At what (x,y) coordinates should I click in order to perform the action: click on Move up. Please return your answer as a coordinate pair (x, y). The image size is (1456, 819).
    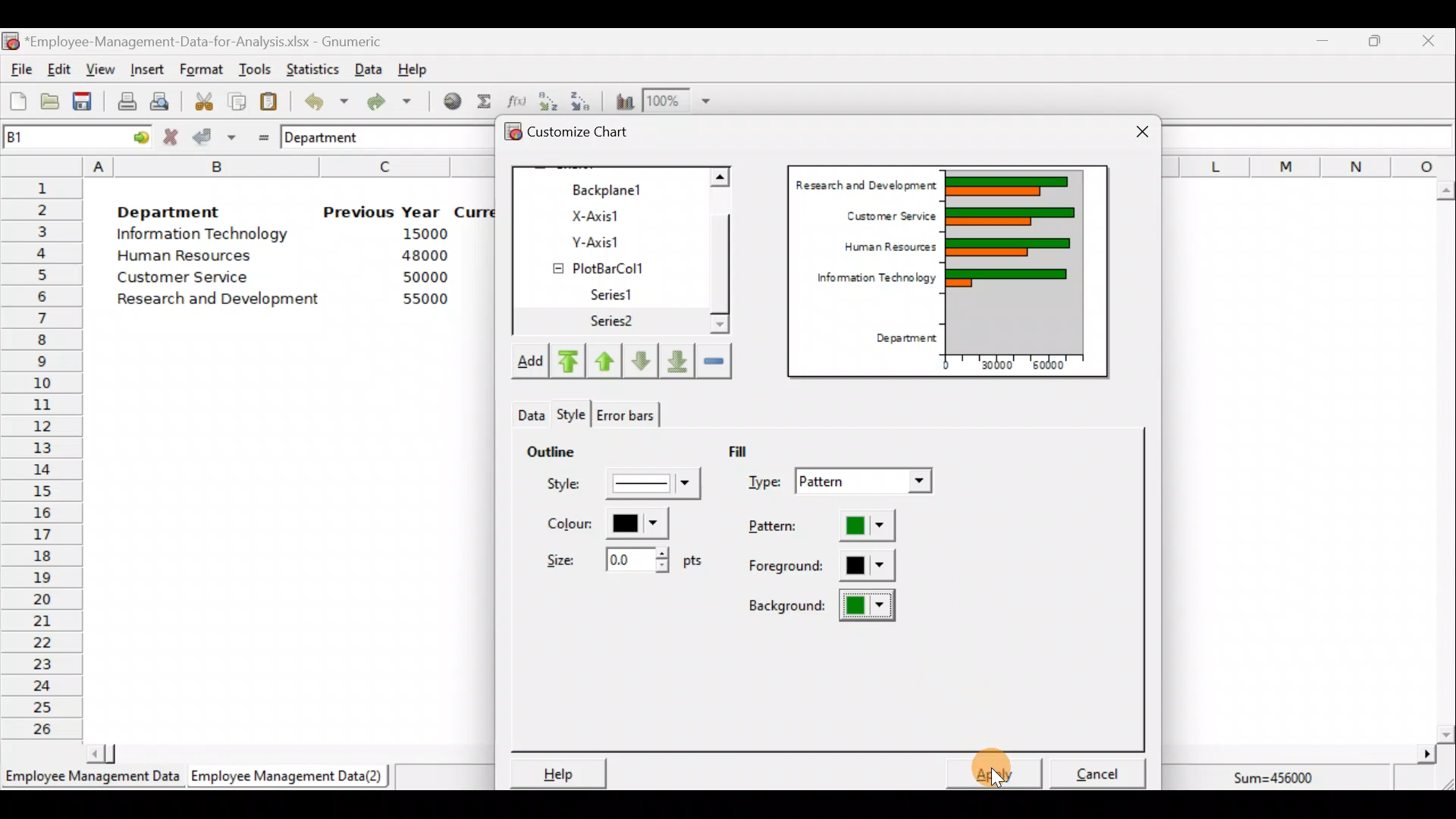
    Looking at the image, I should click on (604, 359).